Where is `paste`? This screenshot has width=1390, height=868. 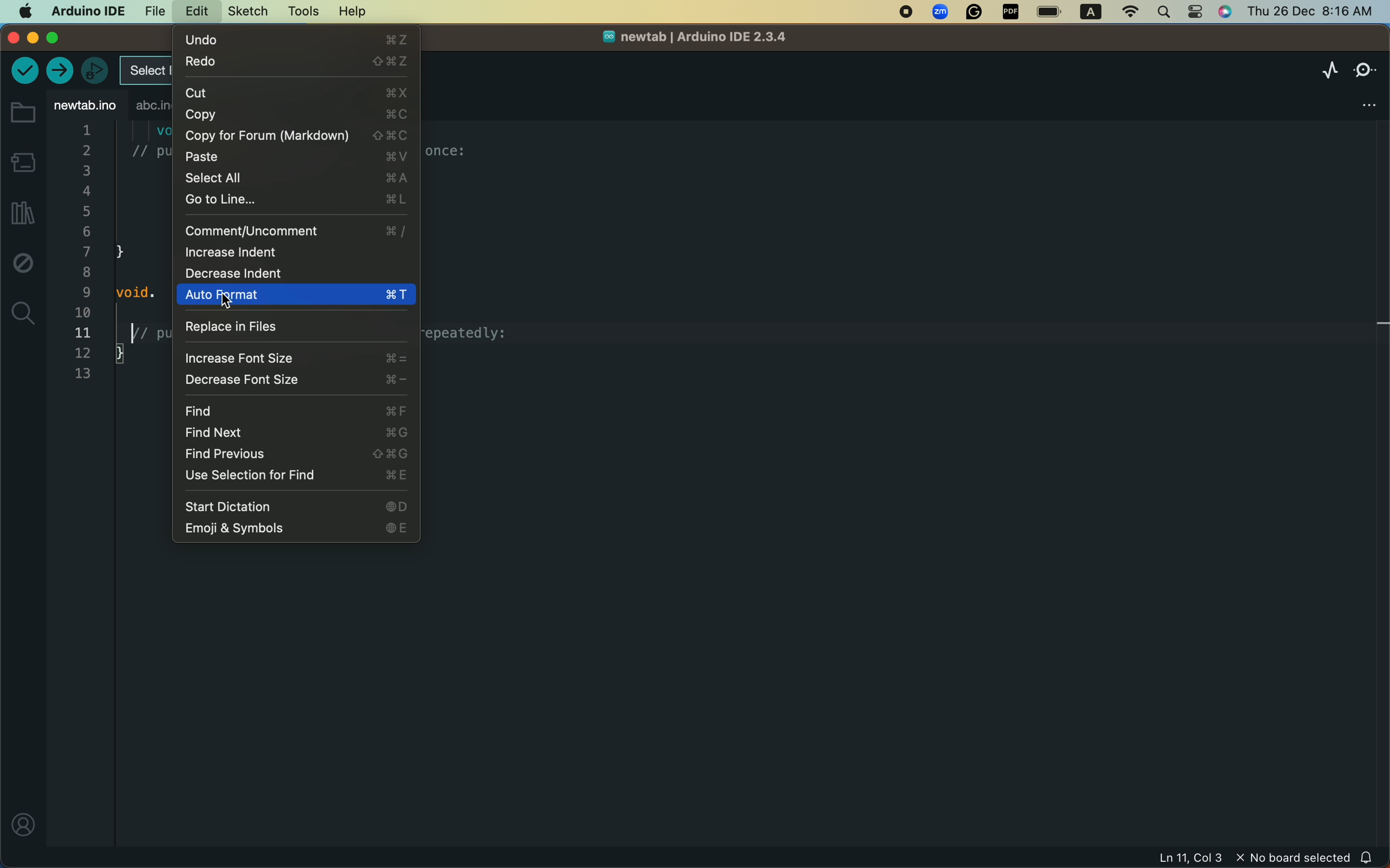 paste is located at coordinates (298, 157).